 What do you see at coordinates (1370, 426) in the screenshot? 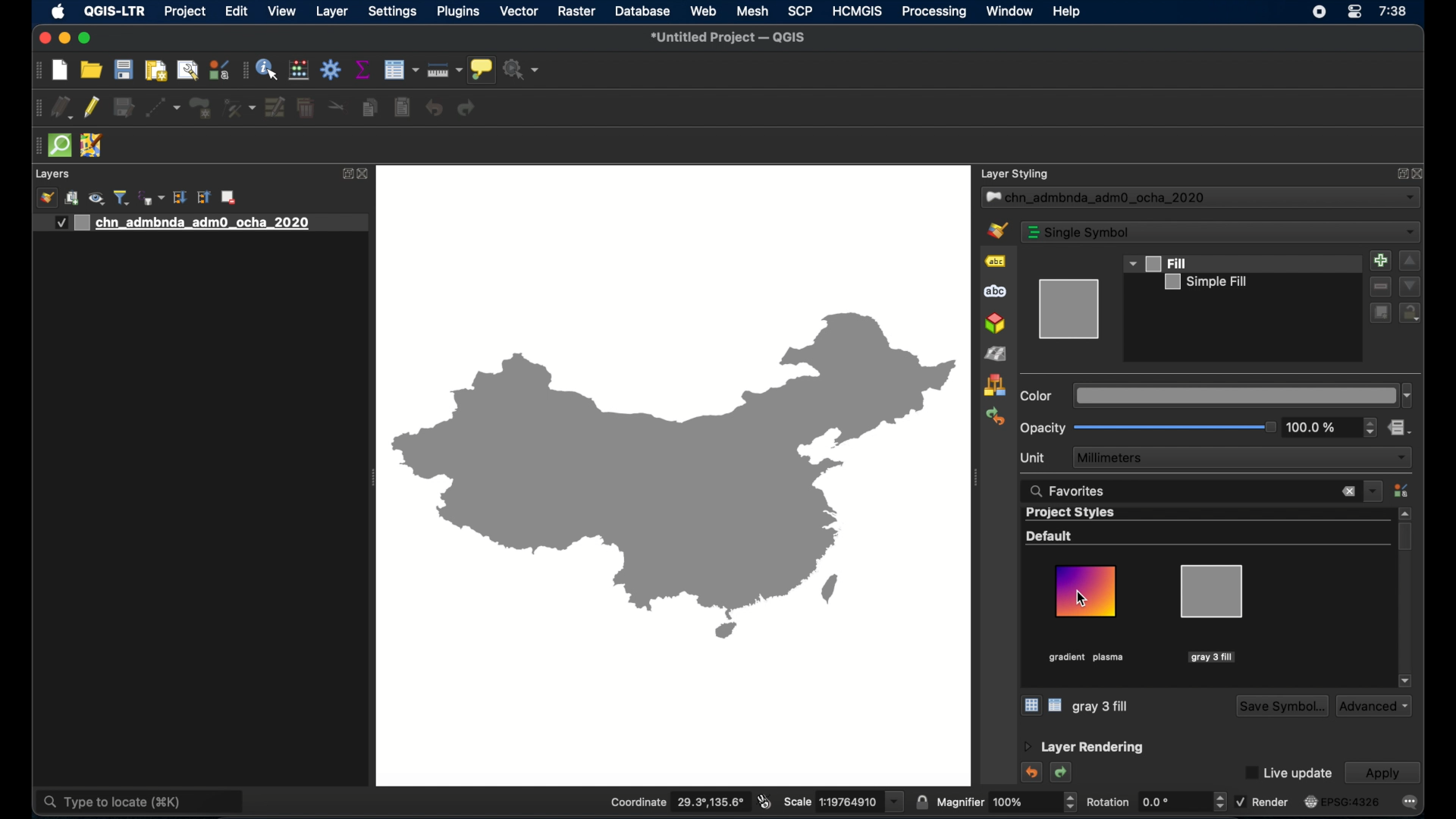
I see `stepper buttons` at bounding box center [1370, 426].